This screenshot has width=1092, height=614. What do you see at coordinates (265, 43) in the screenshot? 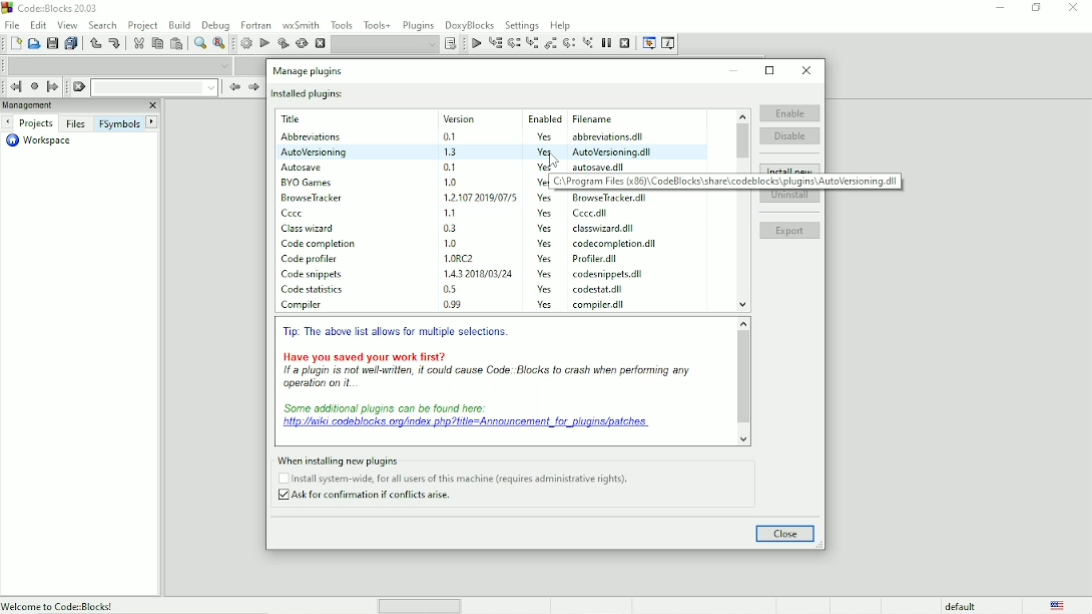
I see `Run` at bounding box center [265, 43].